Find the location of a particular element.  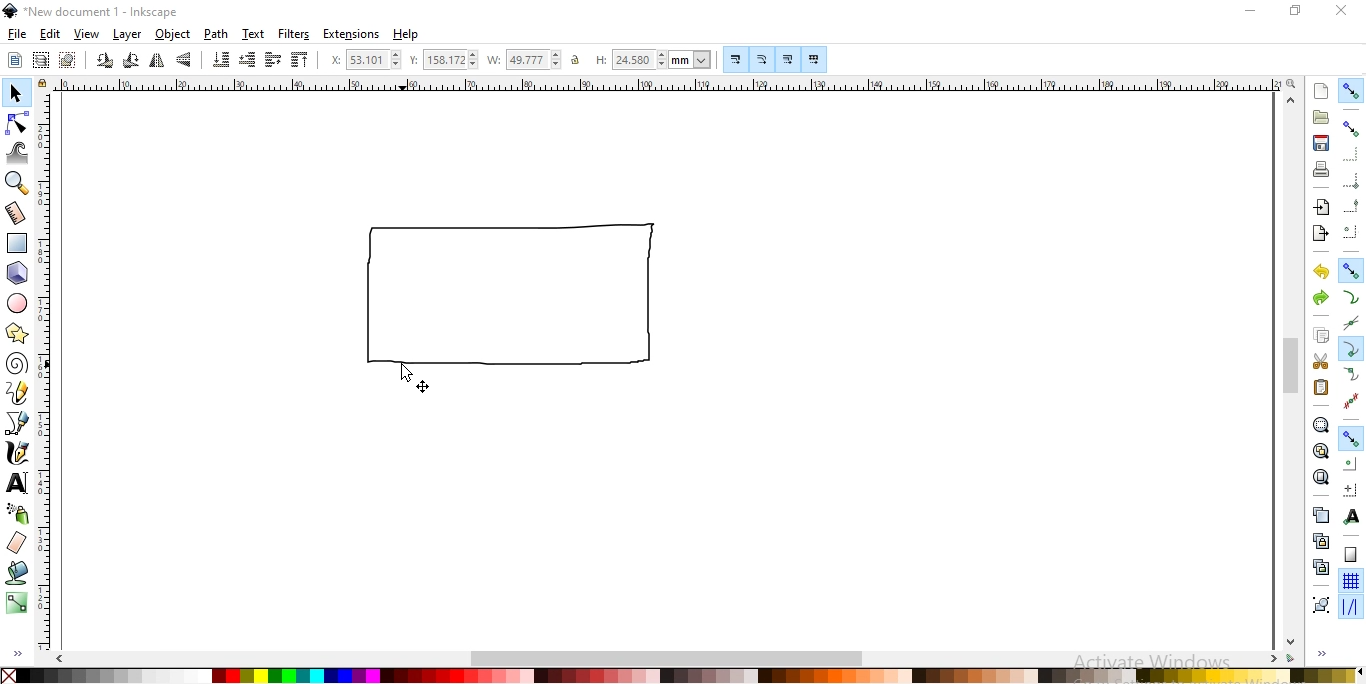

enable snapping is located at coordinates (1352, 91).